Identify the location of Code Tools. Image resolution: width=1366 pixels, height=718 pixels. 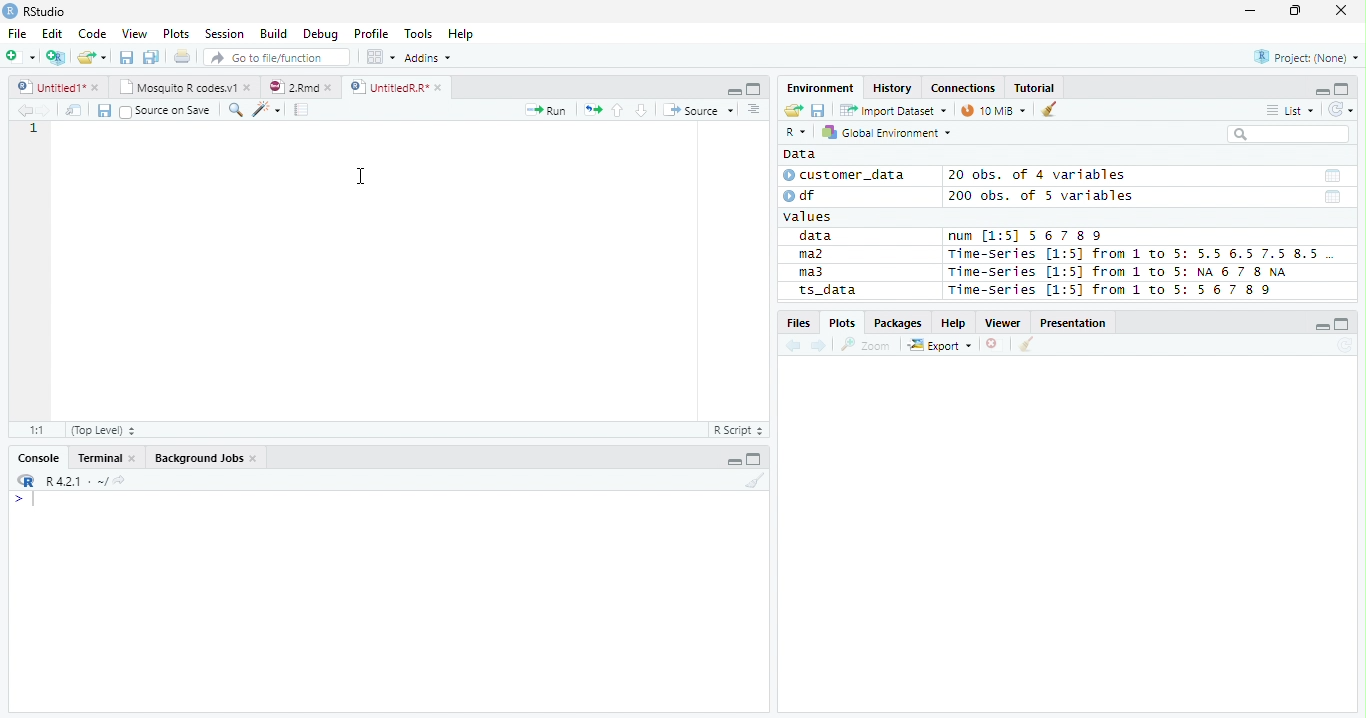
(266, 110).